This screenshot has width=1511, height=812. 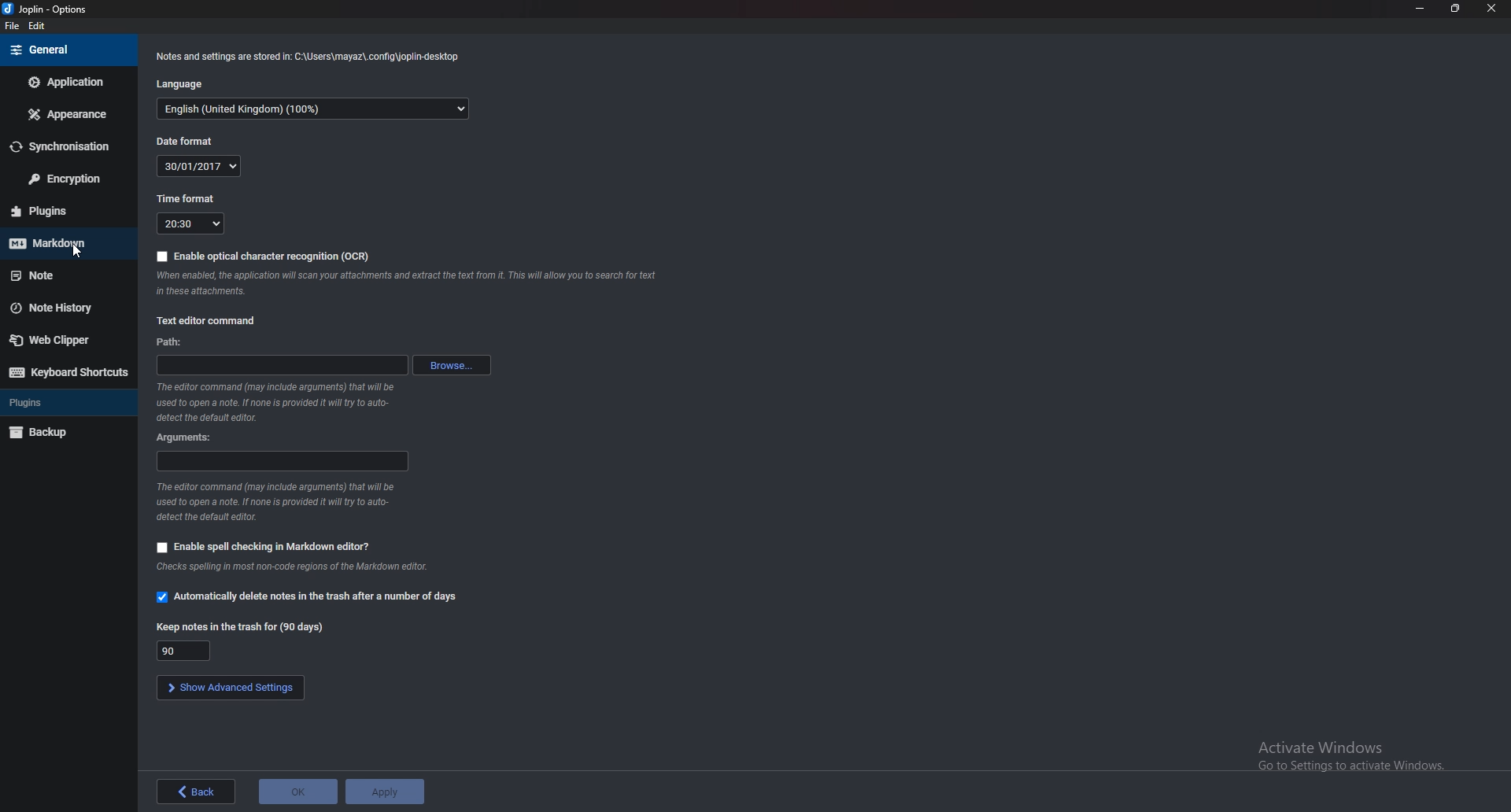 What do you see at coordinates (230, 688) in the screenshot?
I see `Show advanced settings` at bounding box center [230, 688].